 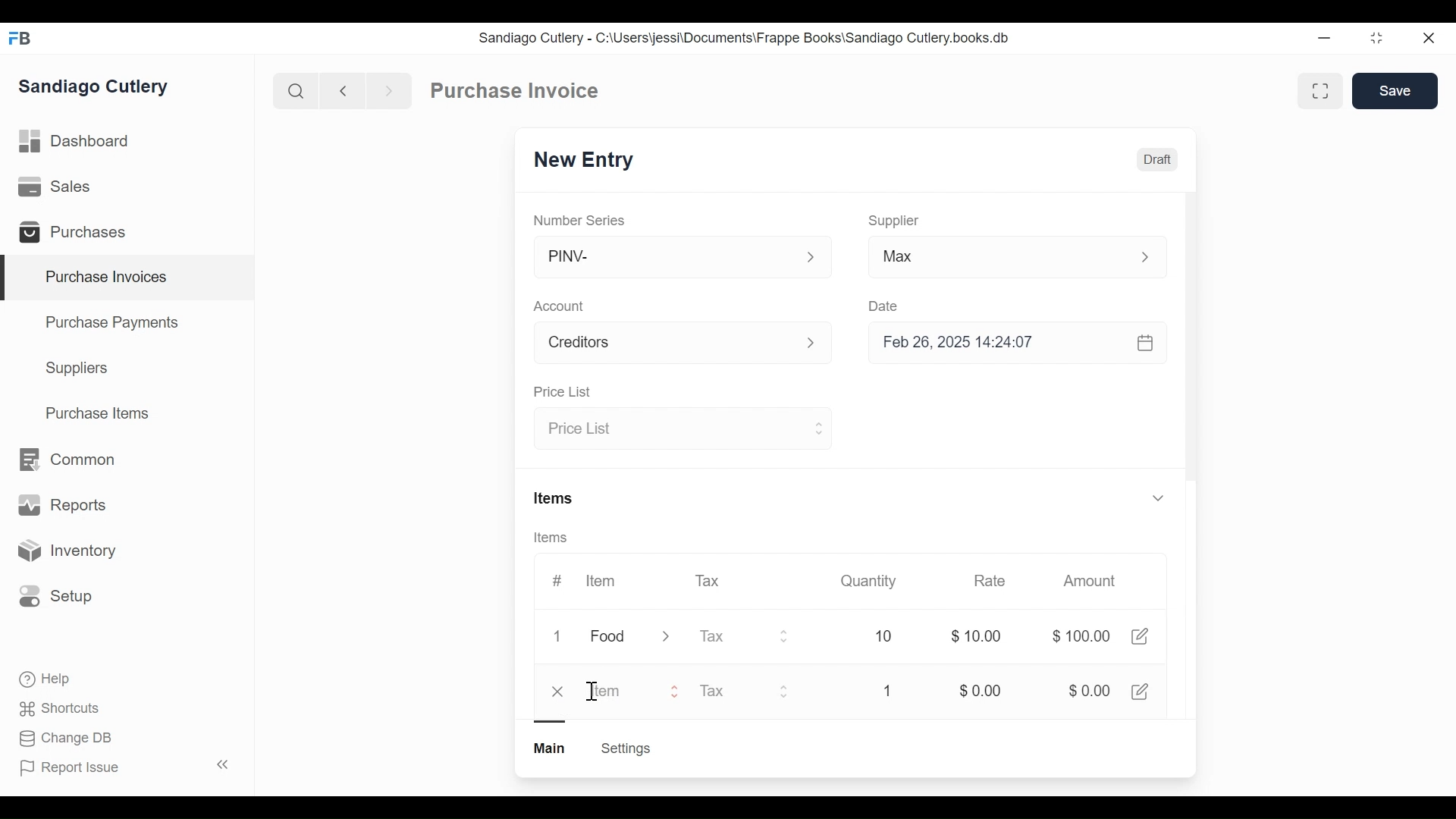 What do you see at coordinates (981, 636) in the screenshot?
I see `$0.00` at bounding box center [981, 636].